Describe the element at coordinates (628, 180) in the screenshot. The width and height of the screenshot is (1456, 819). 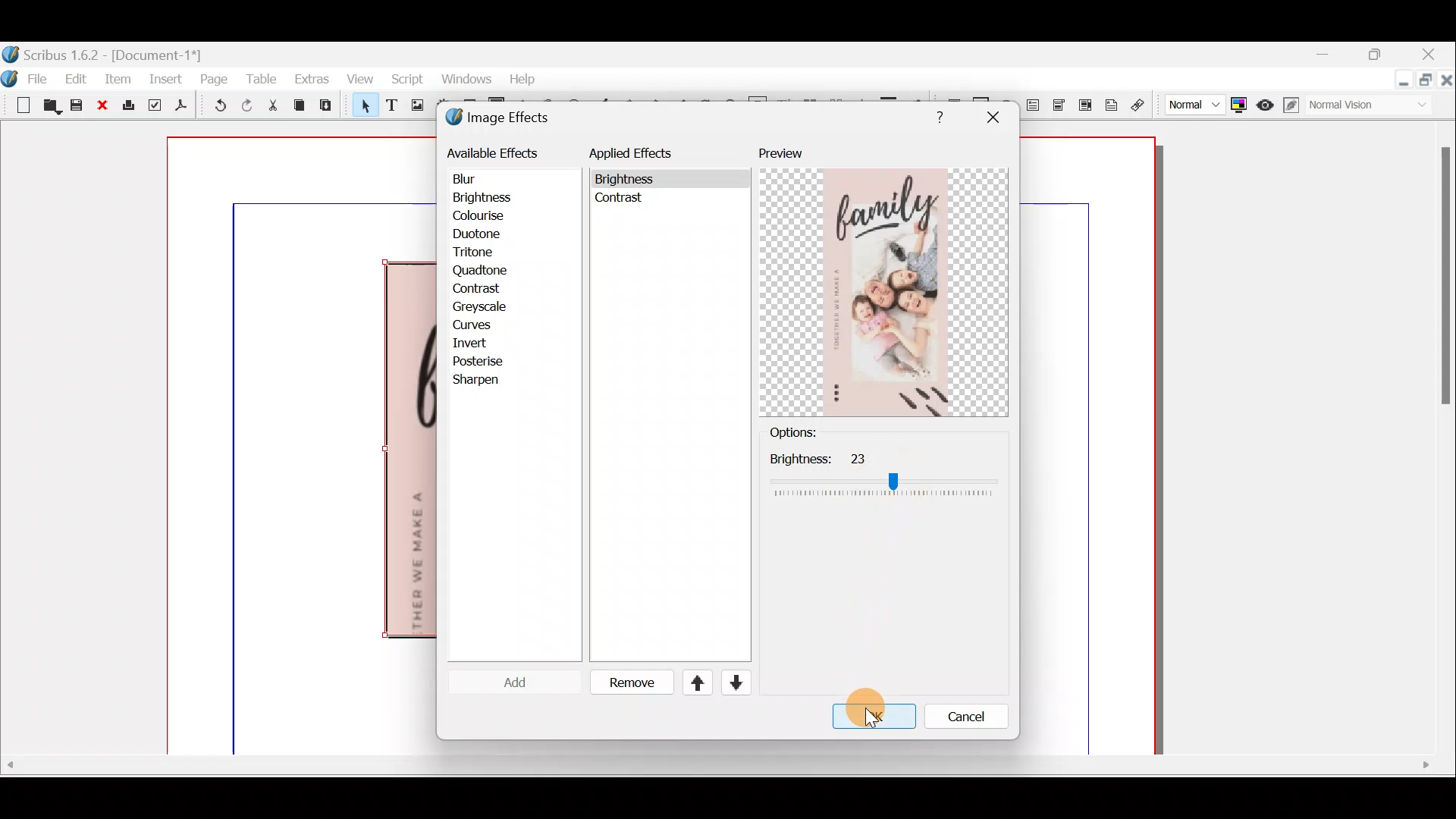
I see `brightness` at that location.